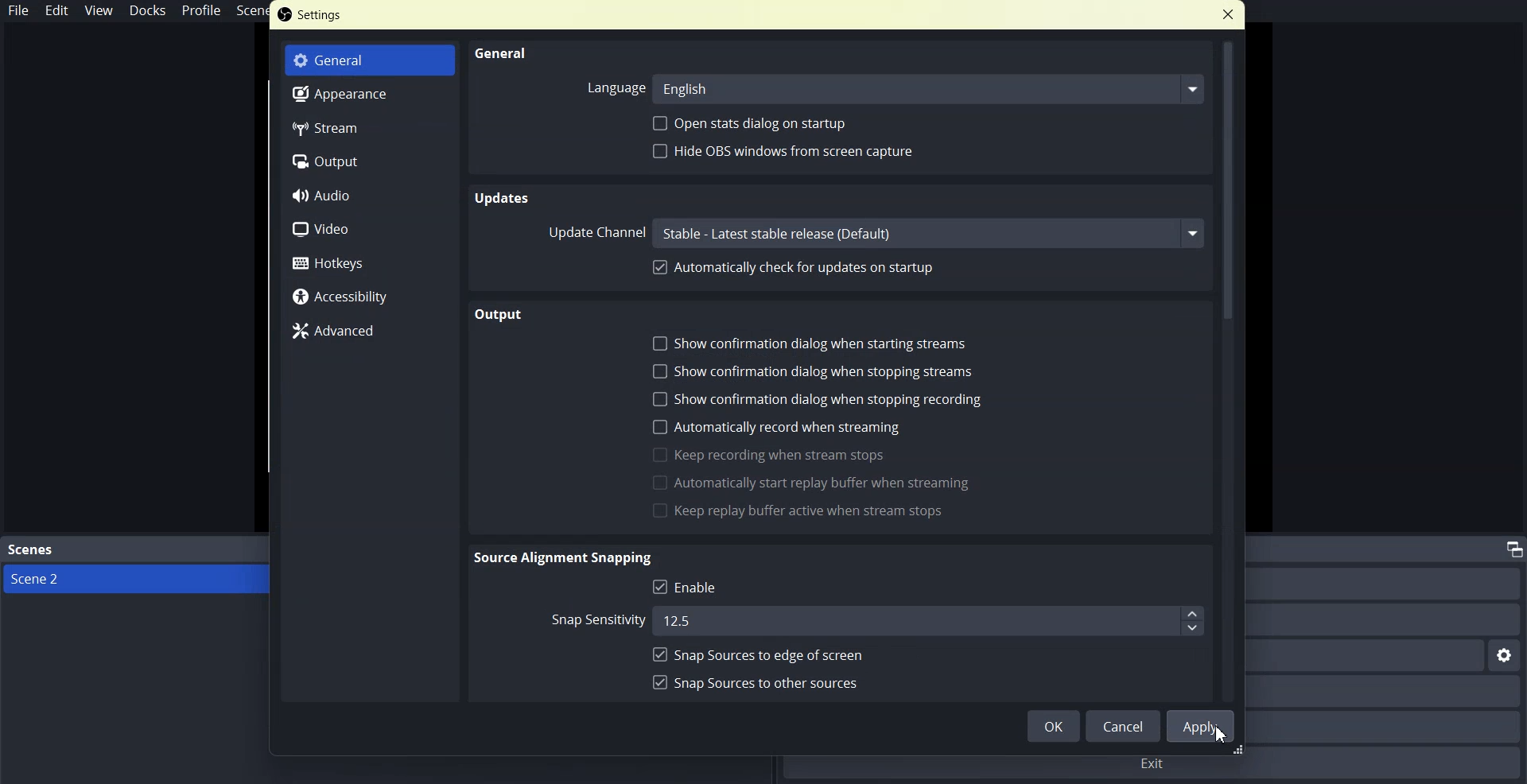  What do you see at coordinates (370, 294) in the screenshot?
I see `Accessibility` at bounding box center [370, 294].